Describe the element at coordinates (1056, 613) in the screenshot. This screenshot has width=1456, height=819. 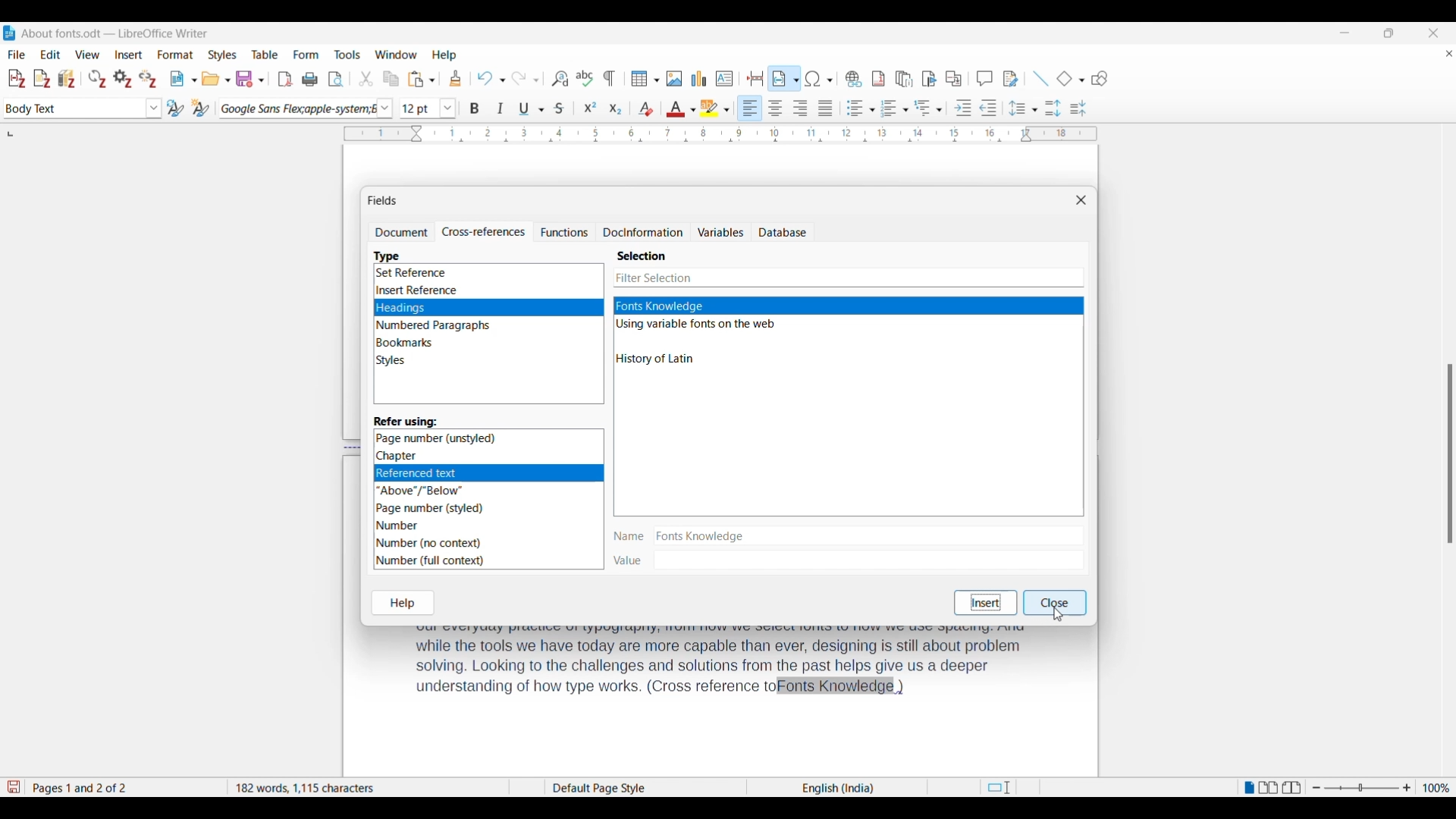
I see `Cursor clicking on close window` at that location.